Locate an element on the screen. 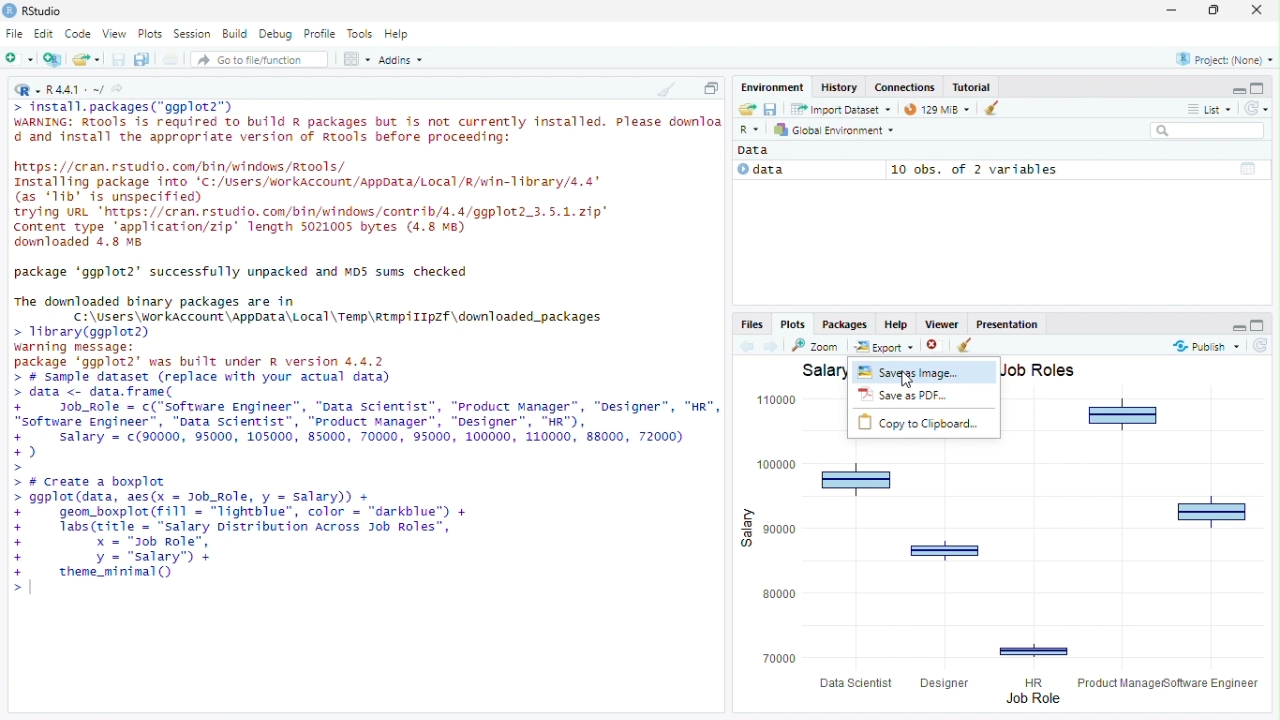 The height and width of the screenshot is (720, 1280). Minimize is located at coordinates (1233, 87).